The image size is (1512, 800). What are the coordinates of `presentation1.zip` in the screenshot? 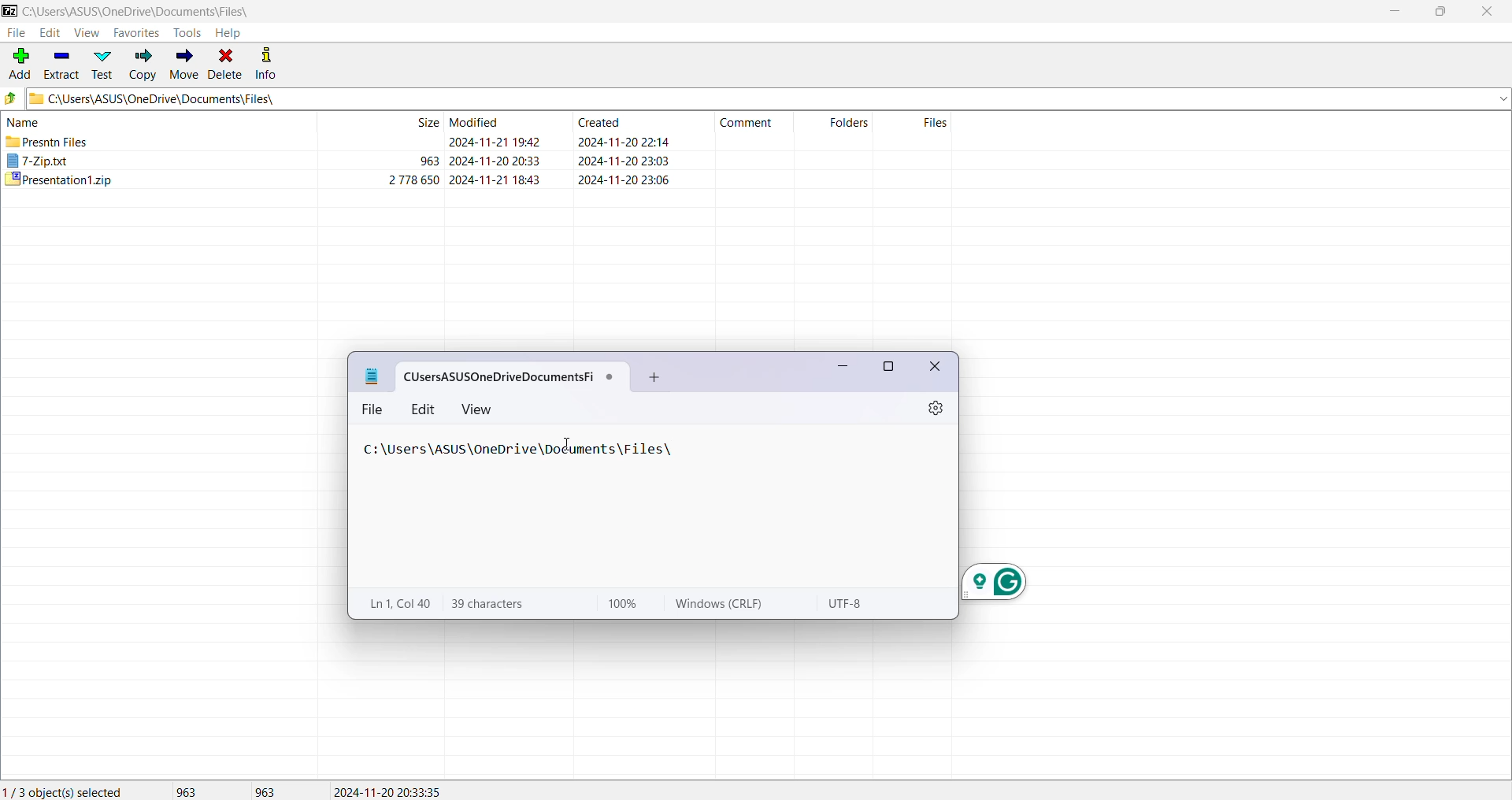 It's located at (59, 179).